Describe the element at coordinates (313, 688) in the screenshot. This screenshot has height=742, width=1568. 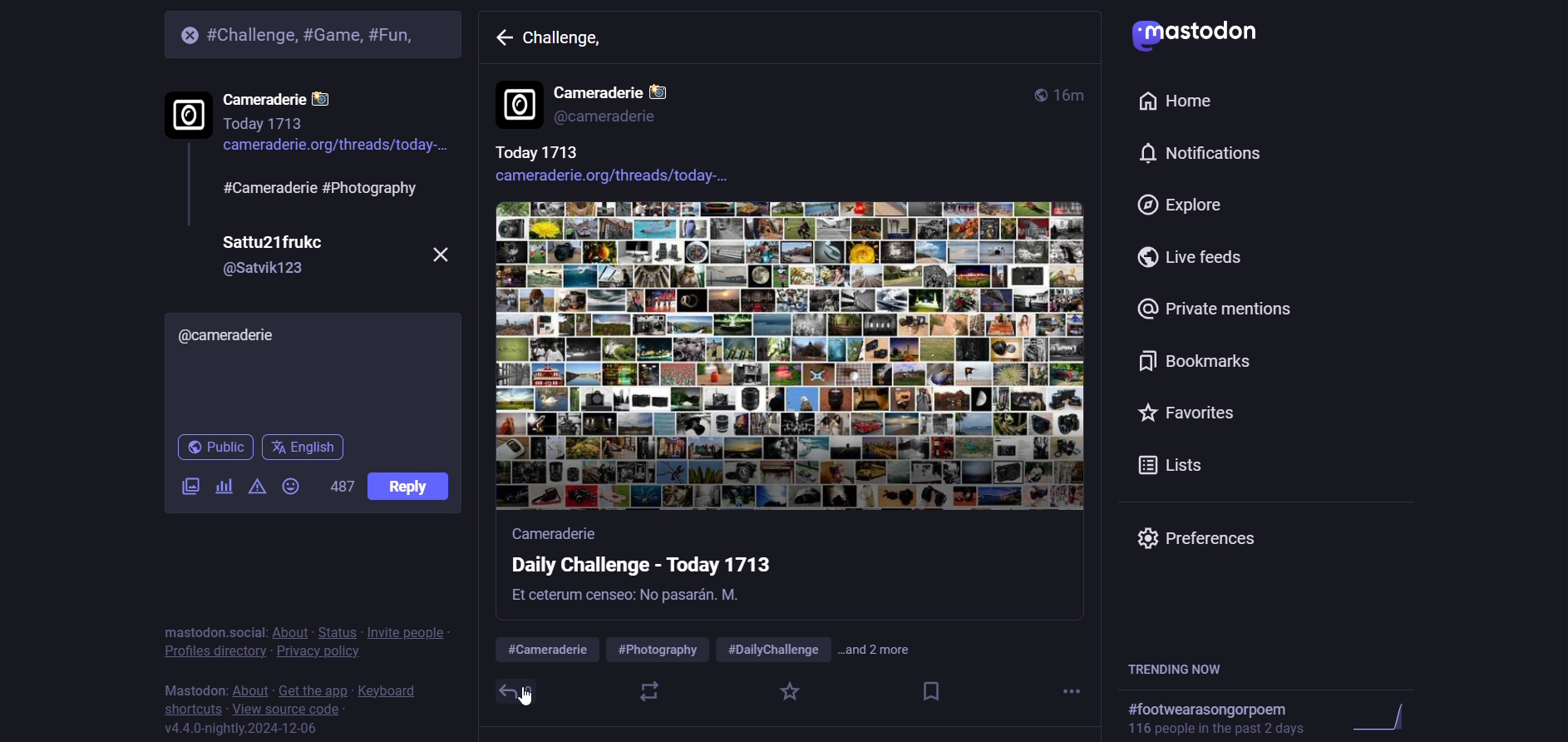
I see `get the app` at that location.